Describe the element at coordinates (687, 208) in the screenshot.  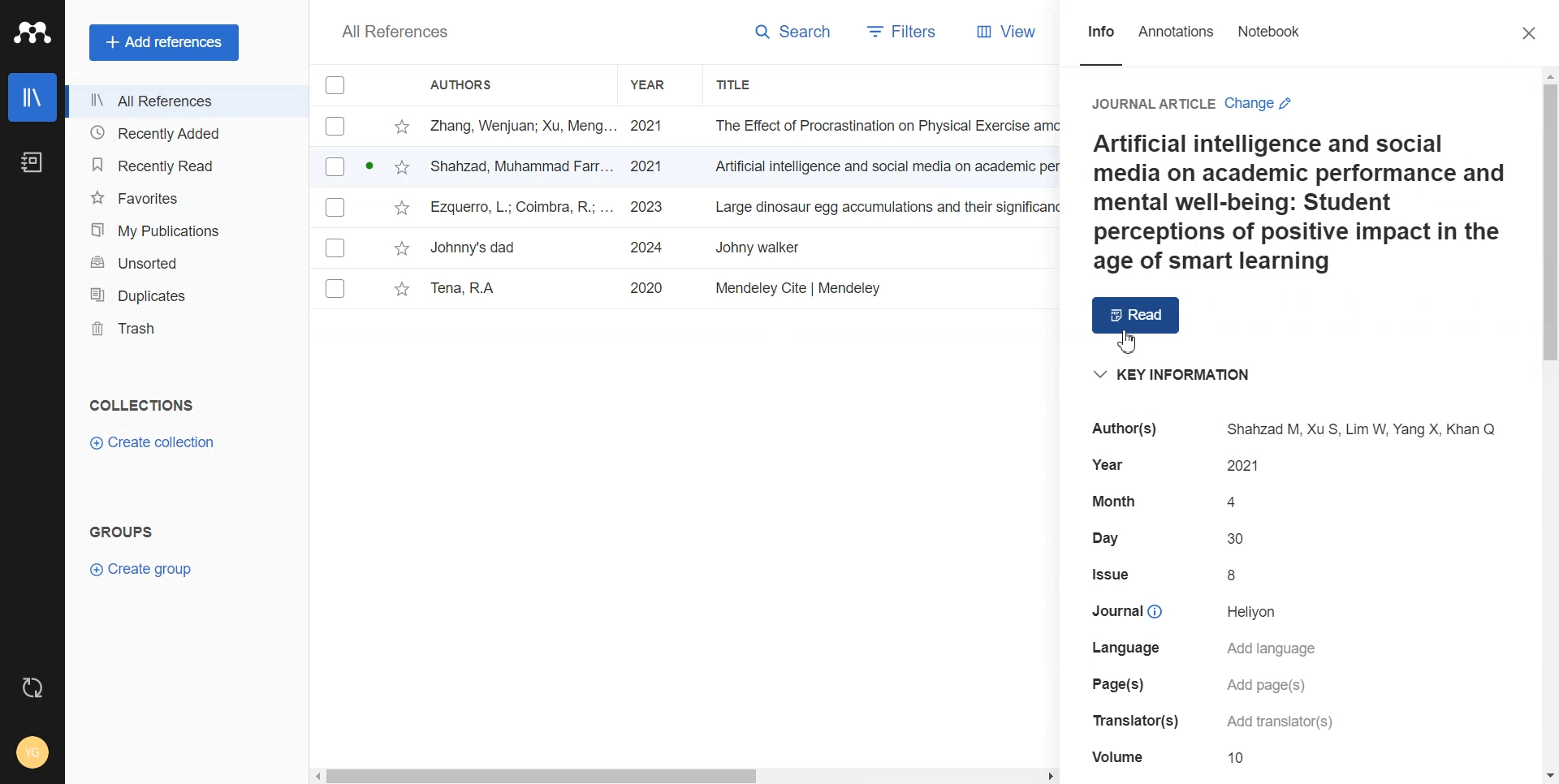
I see `File` at that location.